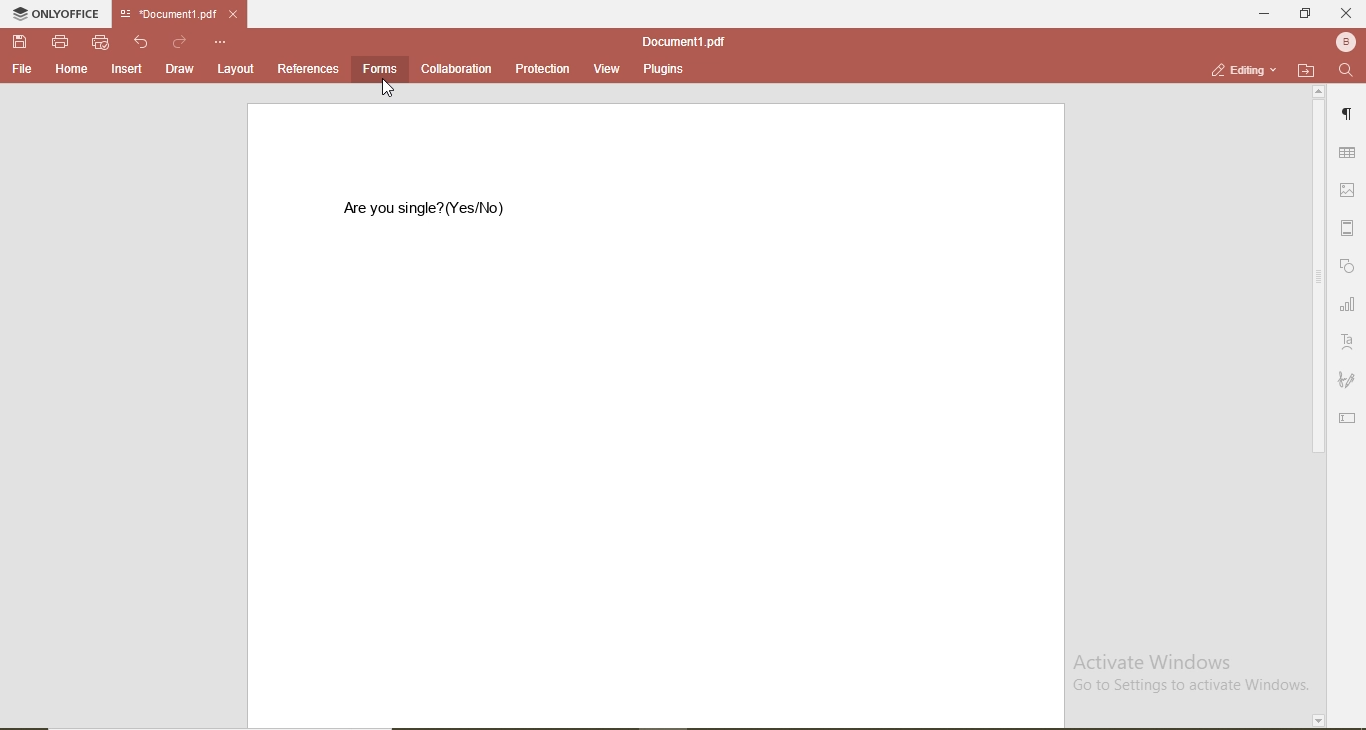  Describe the element at coordinates (1246, 68) in the screenshot. I see `editing` at that location.